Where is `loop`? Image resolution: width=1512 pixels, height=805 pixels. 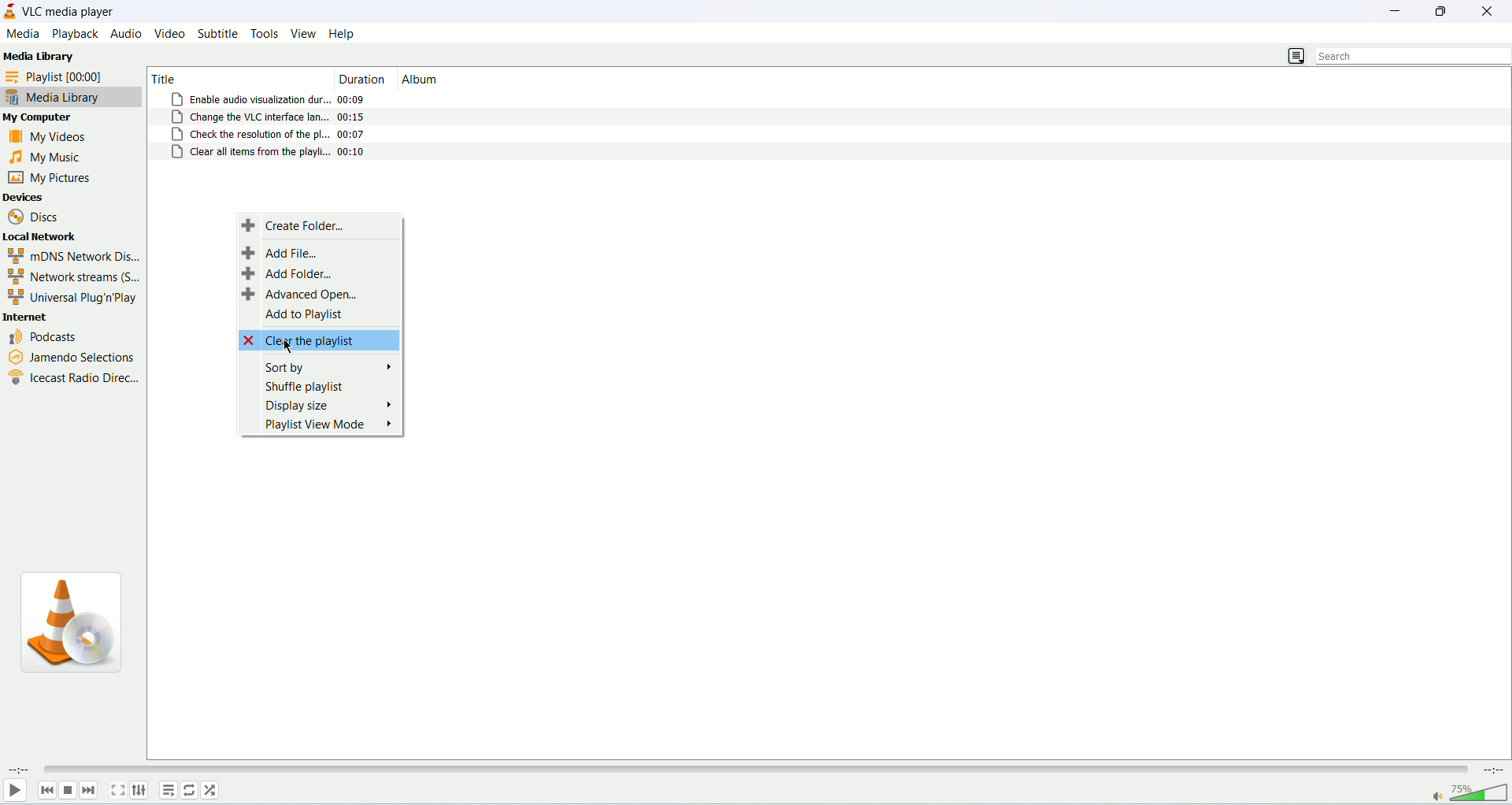
loop is located at coordinates (190, 790).